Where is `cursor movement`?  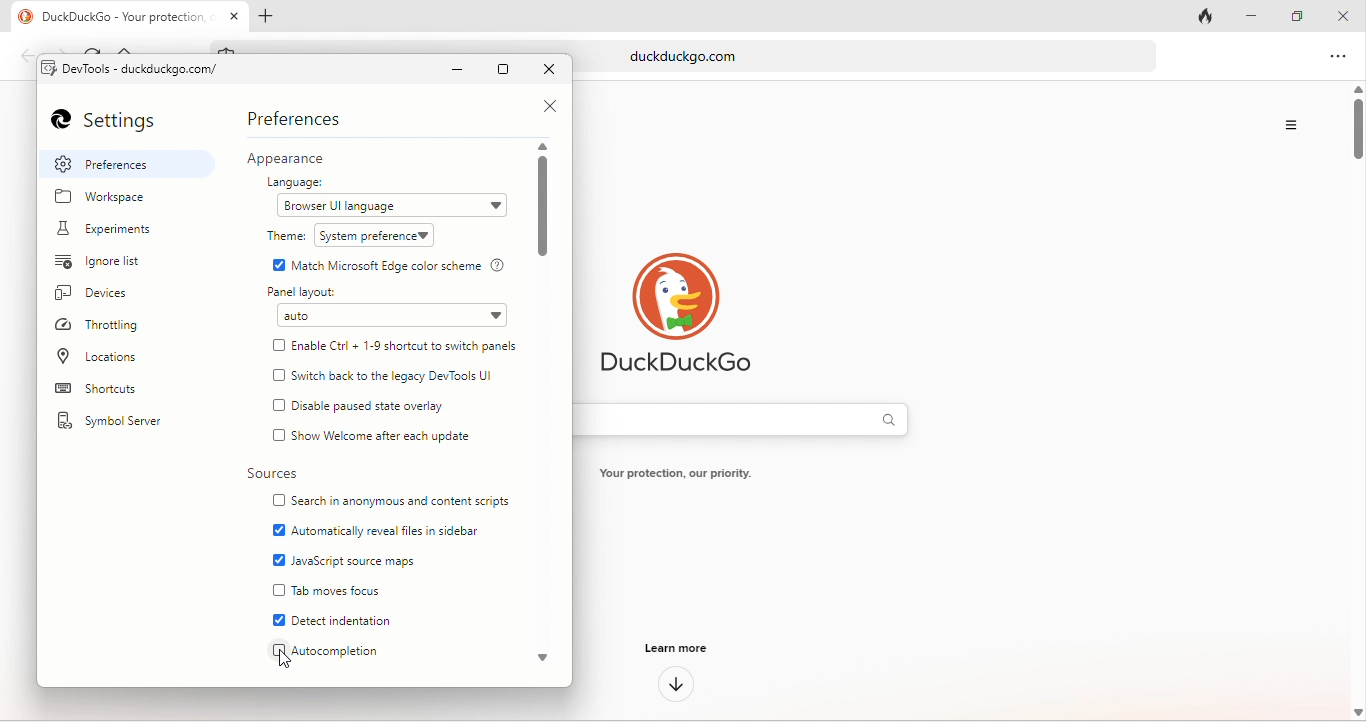 cursor movement is located at coordinates (288, 660).